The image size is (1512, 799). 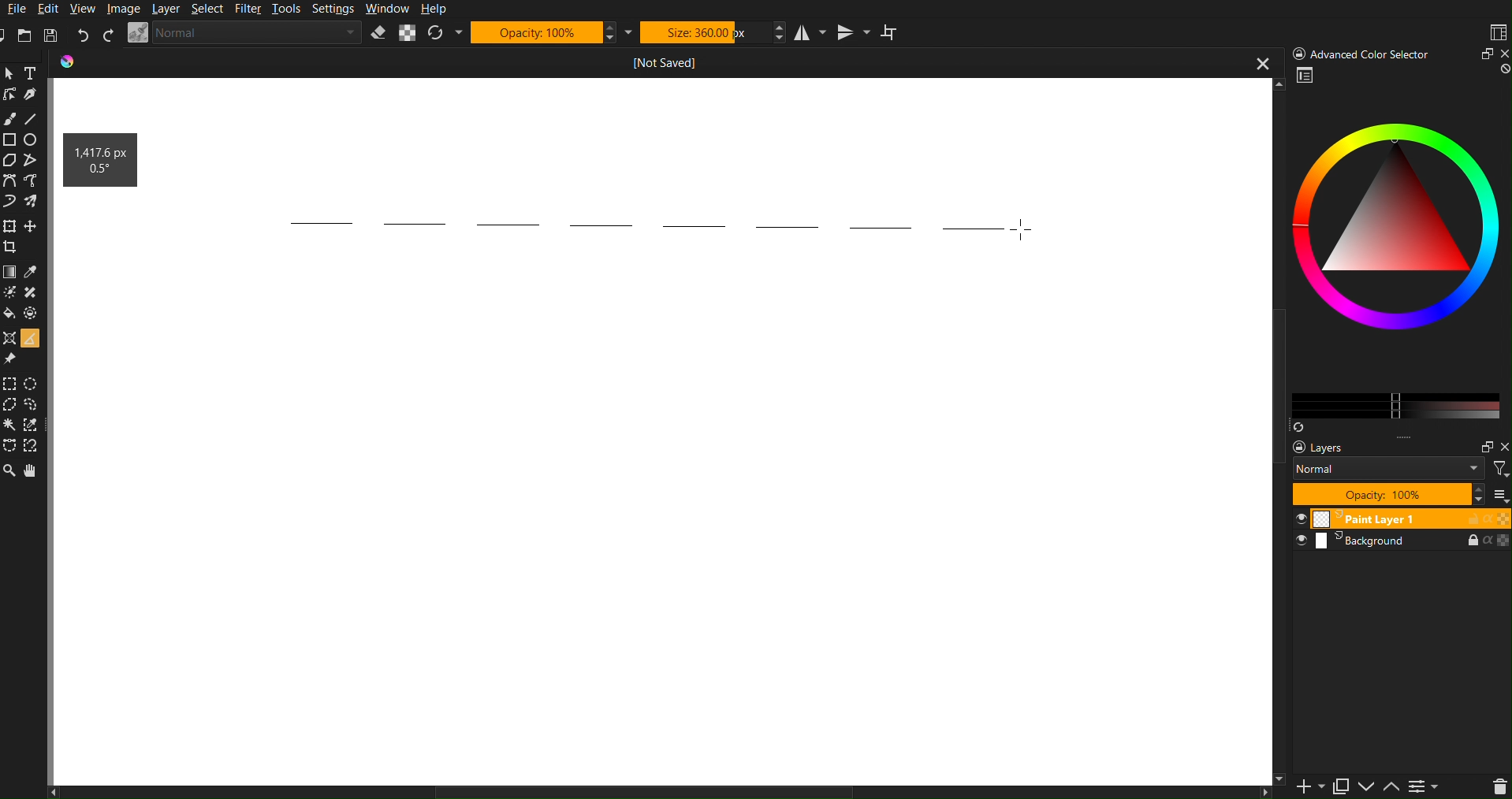 What do you see at coordinates (9, 336) in the screenshot?
I see `Assistant Tool` at bounding box center [9, 336].